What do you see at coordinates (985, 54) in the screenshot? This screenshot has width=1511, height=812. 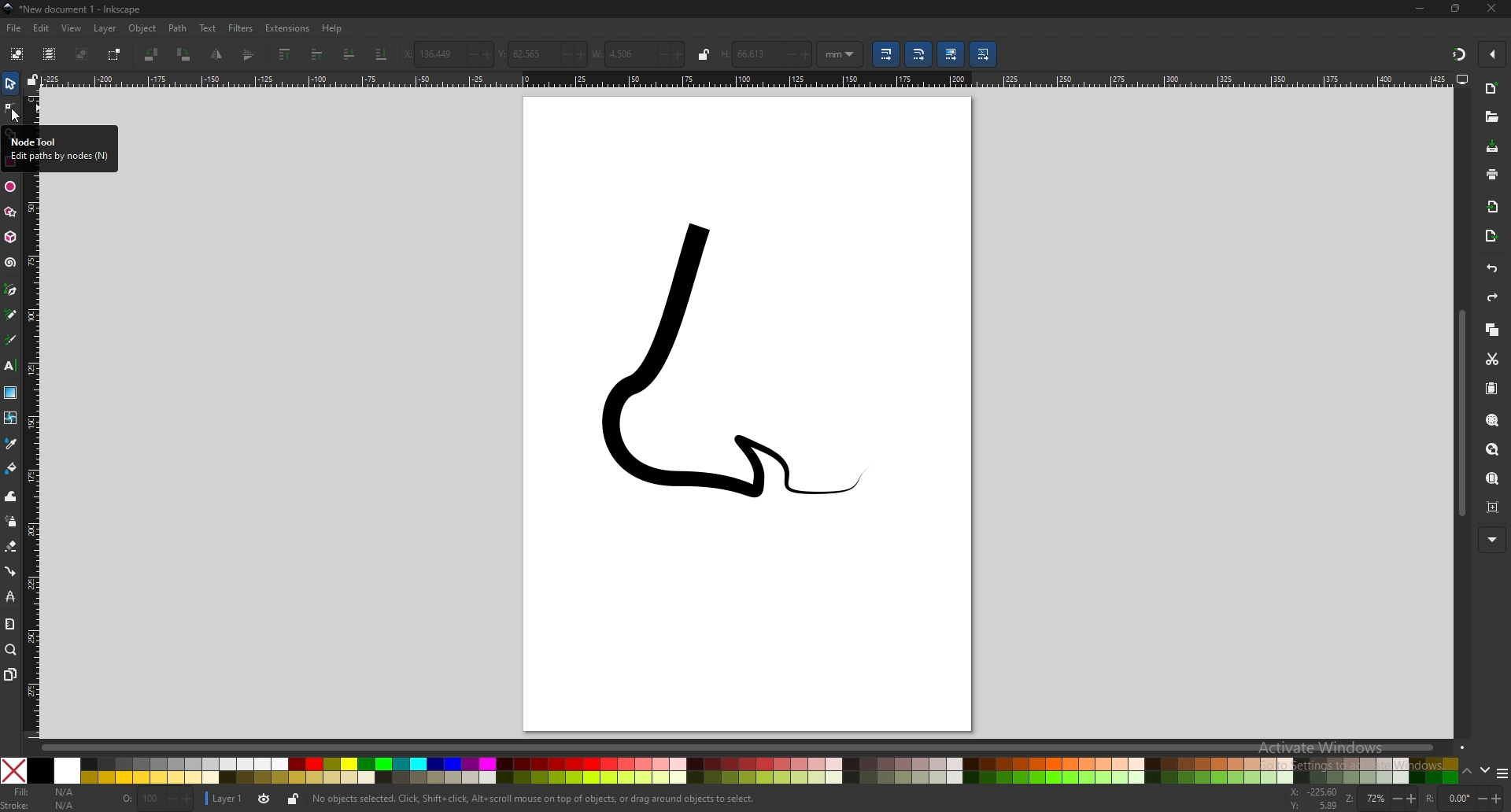 I see `move patterns` at bounding box center [985, 54].